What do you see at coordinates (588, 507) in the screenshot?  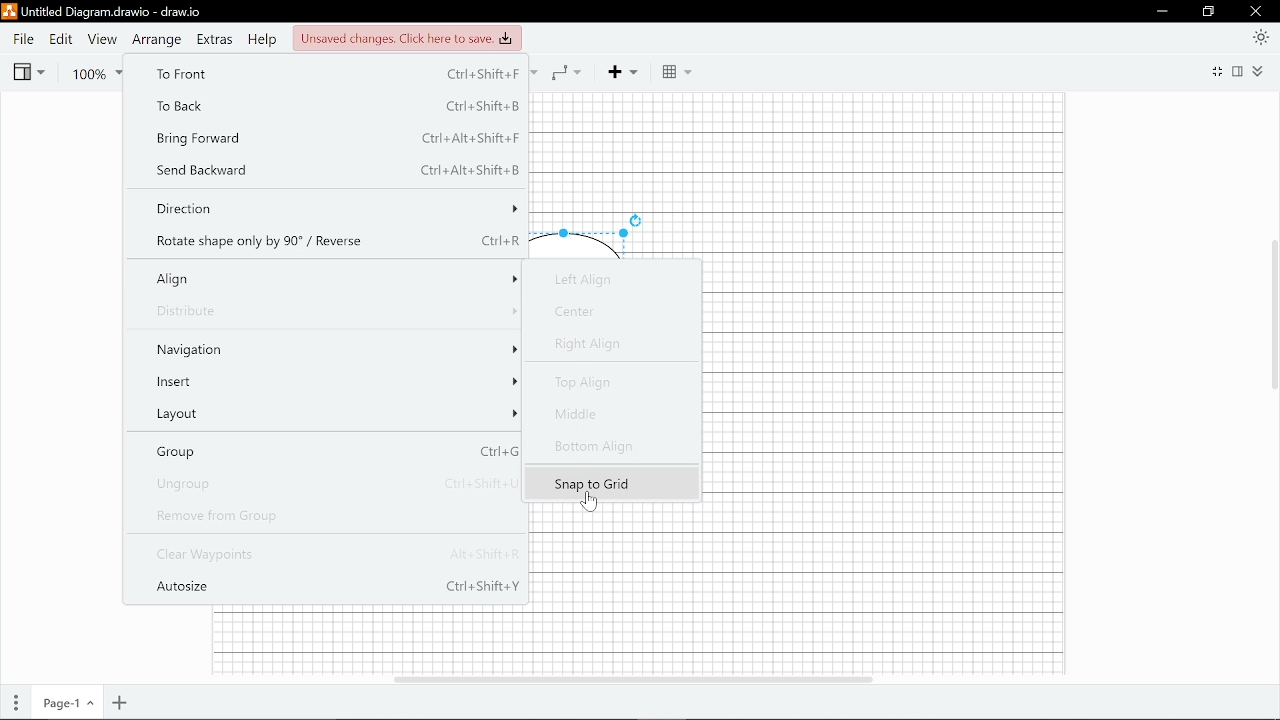 I see `cursor` at bounding box center [588, 507].